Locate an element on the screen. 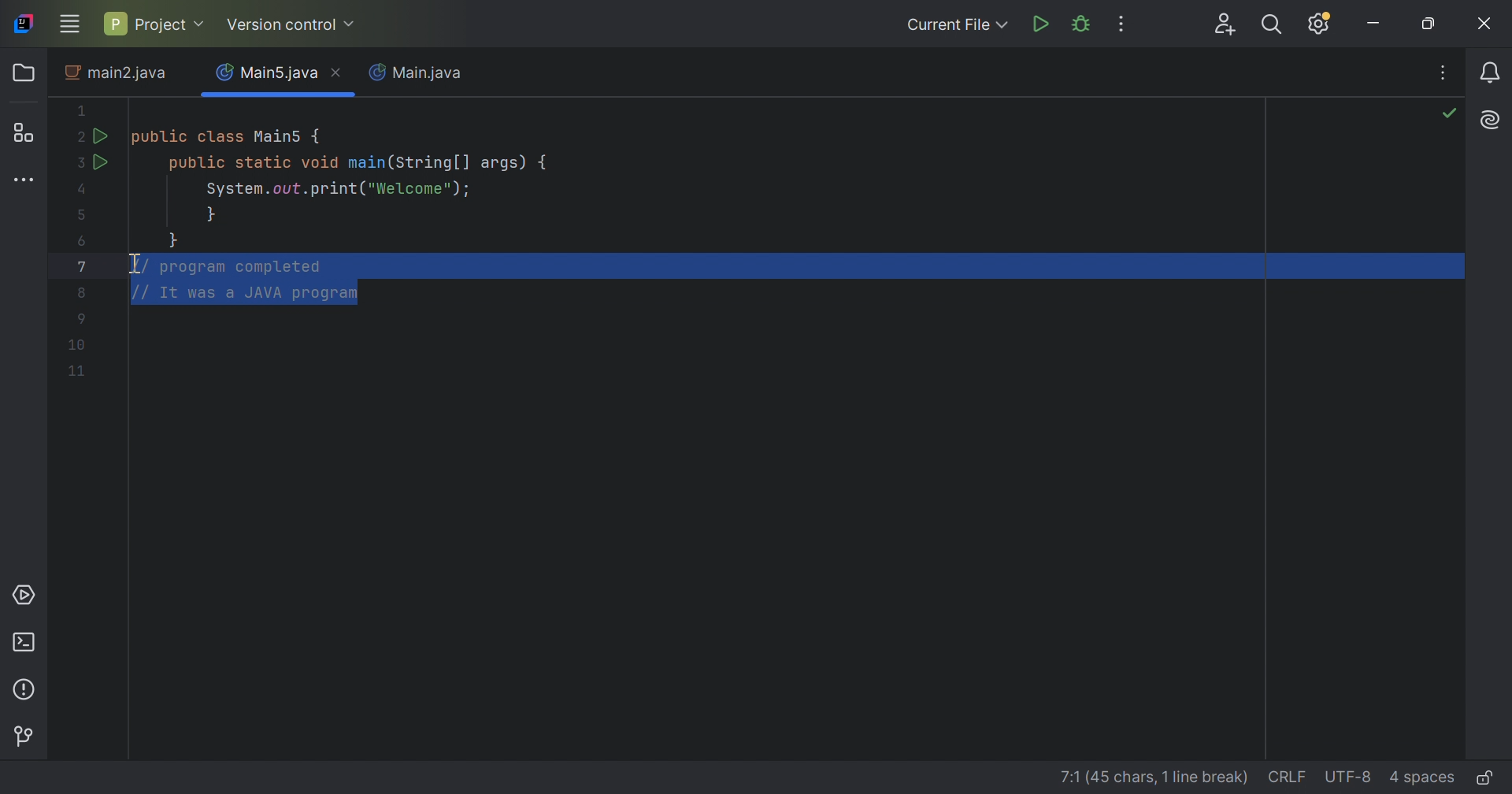 This screenshot has width=1512, height=794. Close is located at coordinates (1486, 25).